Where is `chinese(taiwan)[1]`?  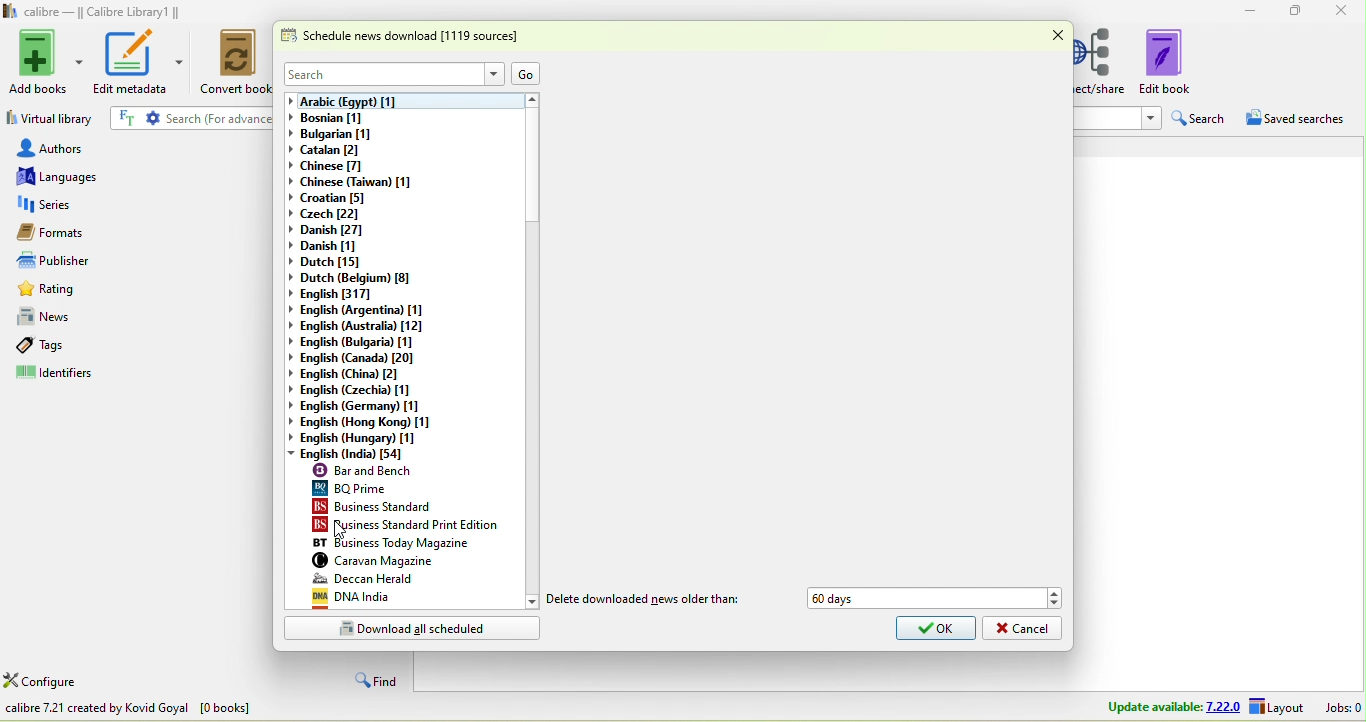
chinese(taiwan)[1] is located at coordinates (352, 182).